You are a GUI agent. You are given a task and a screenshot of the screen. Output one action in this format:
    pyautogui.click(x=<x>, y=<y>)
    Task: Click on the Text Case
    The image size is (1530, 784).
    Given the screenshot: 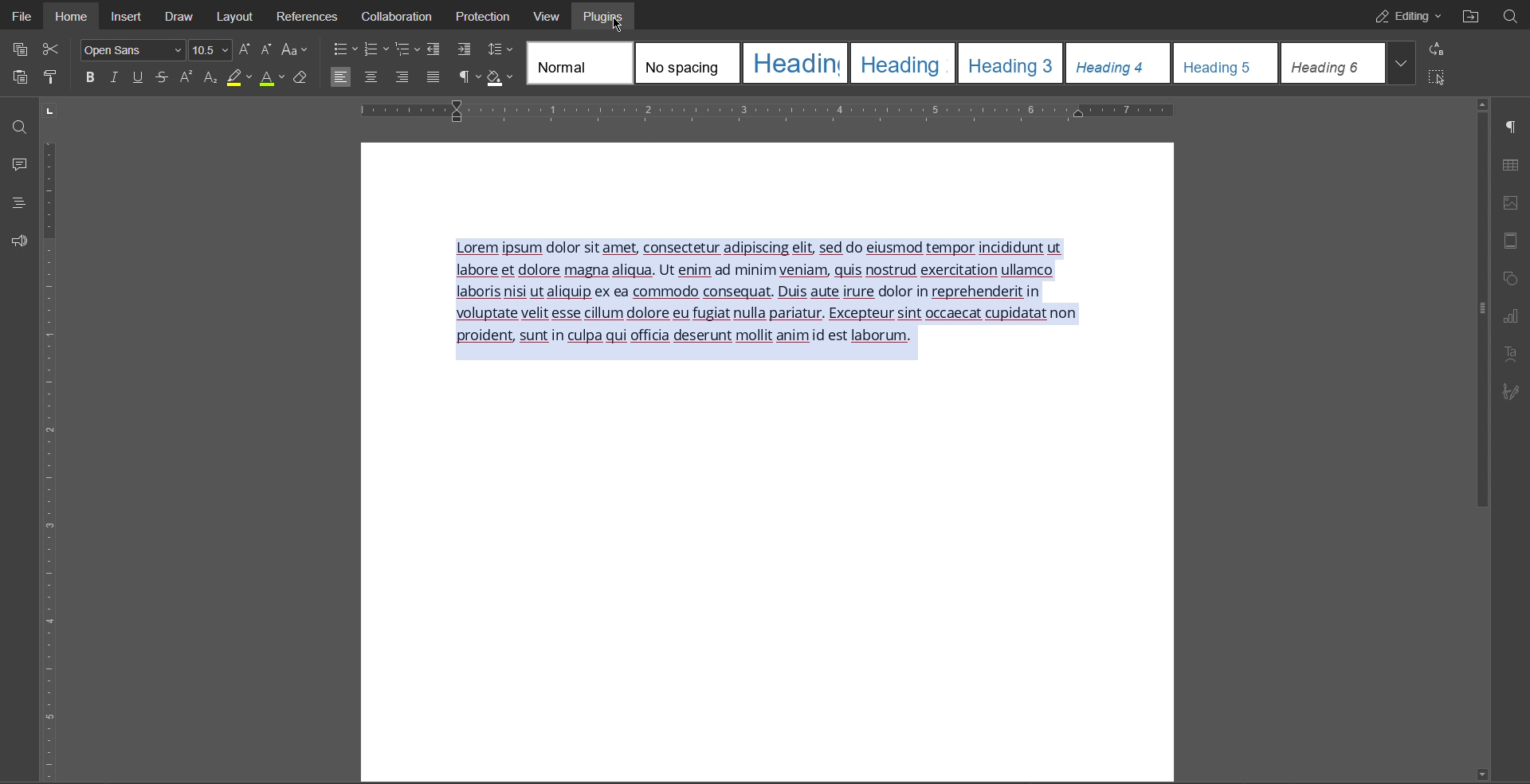 What is the action you would take?
    pyautogui.click(x=293, y=49)
    